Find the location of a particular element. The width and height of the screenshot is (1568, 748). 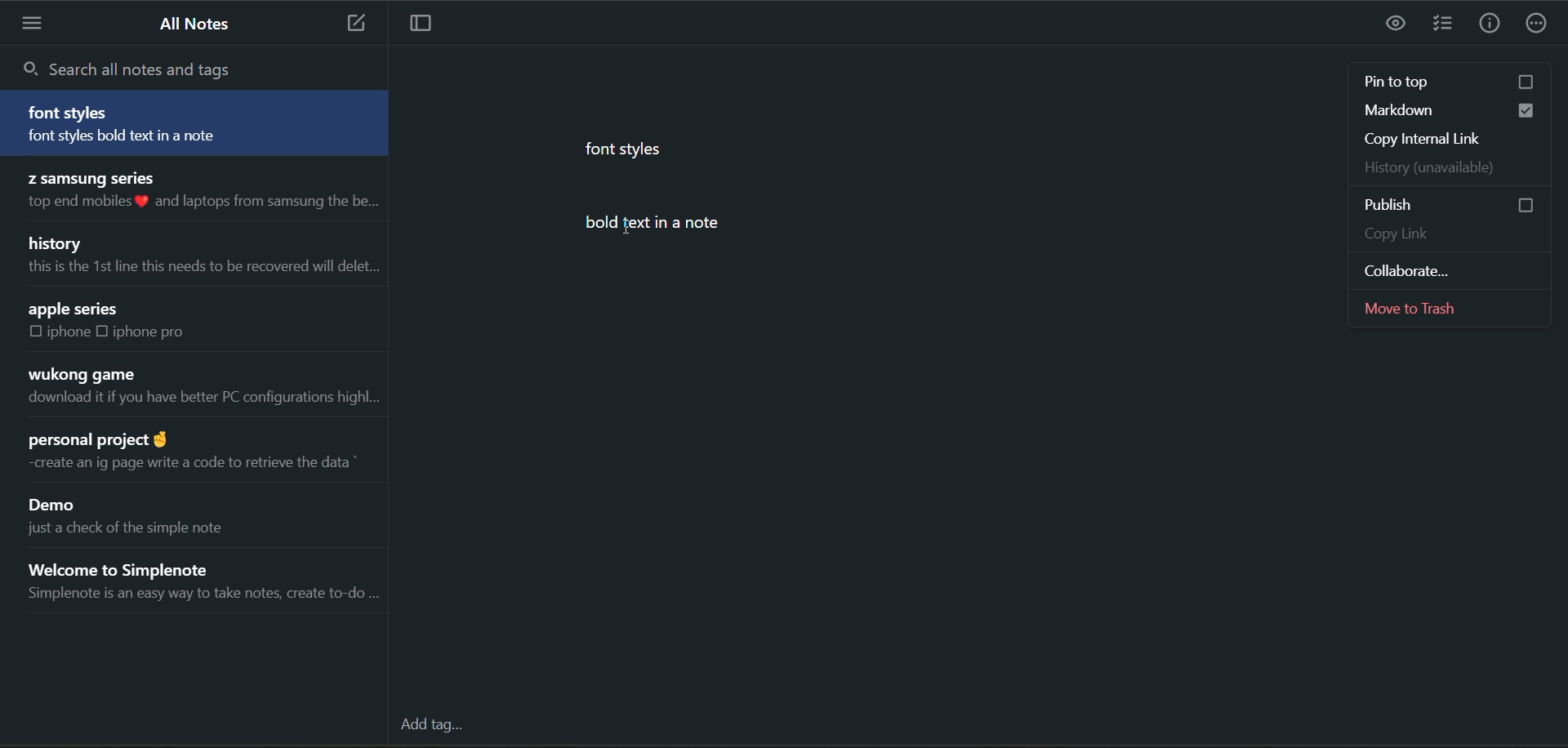

checkbox is located at coordinates (1513, 203).